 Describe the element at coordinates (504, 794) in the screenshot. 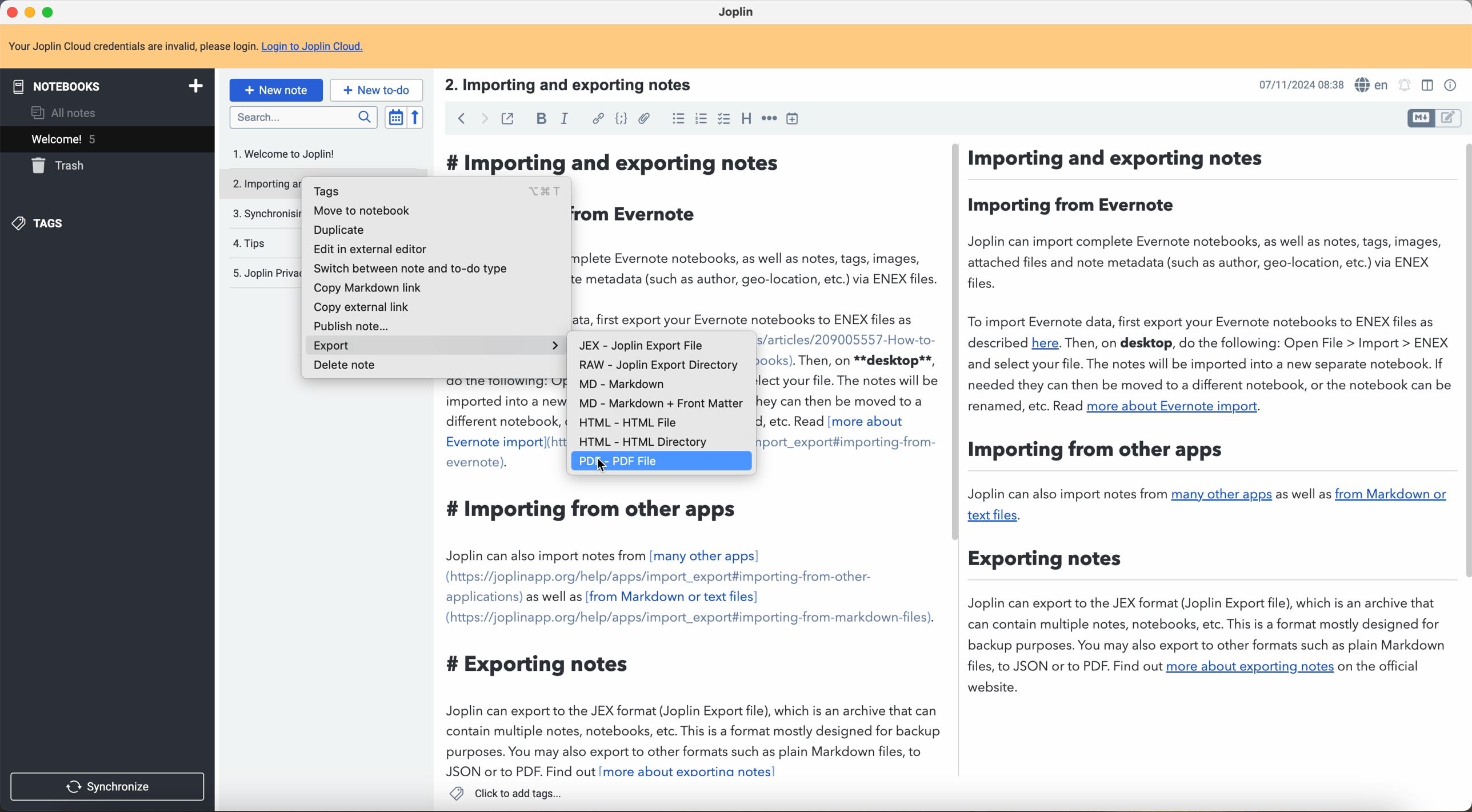

I see `click to add tags` at that location.